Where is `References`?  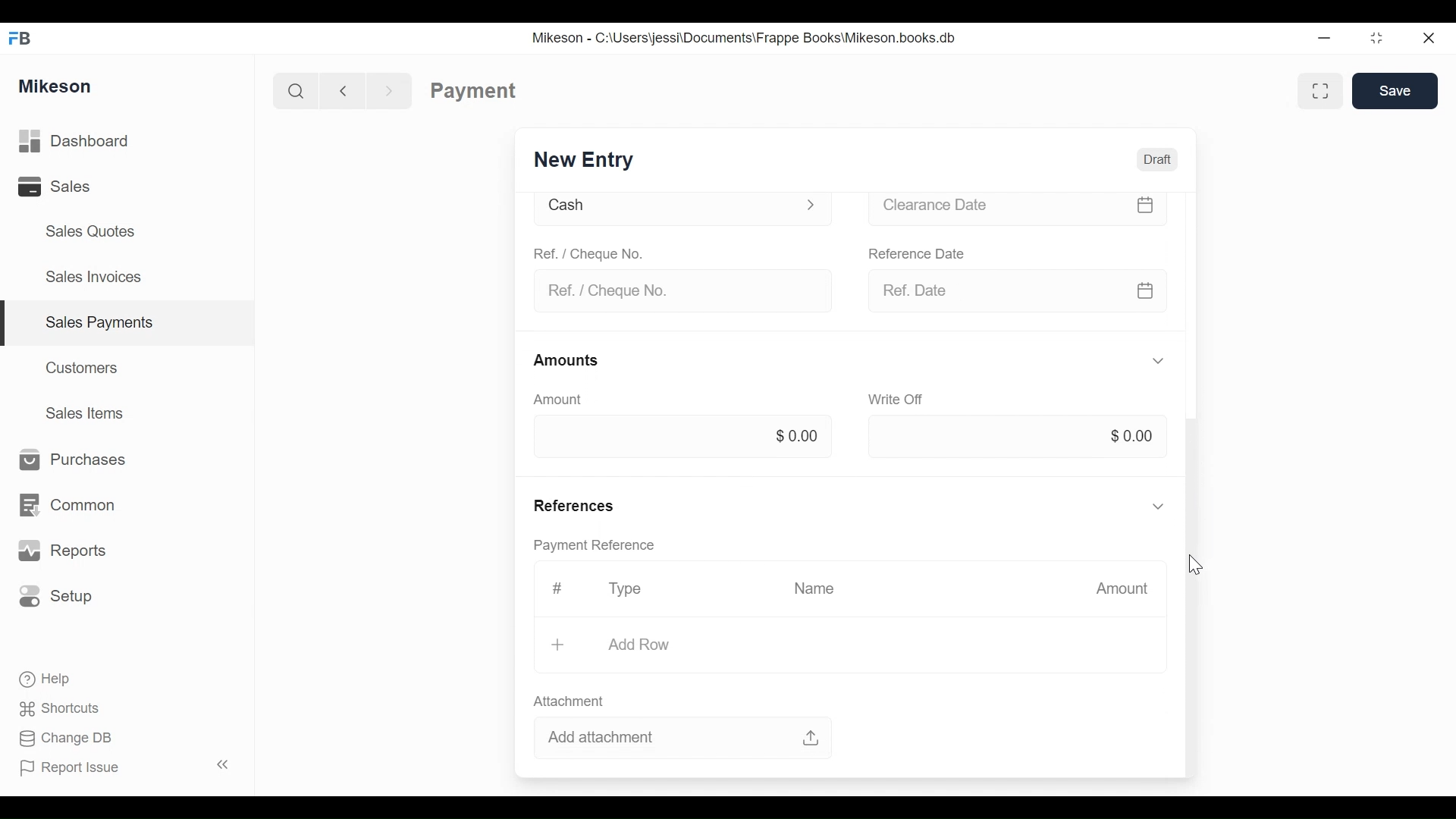
References is located at coordinates (581, 505).